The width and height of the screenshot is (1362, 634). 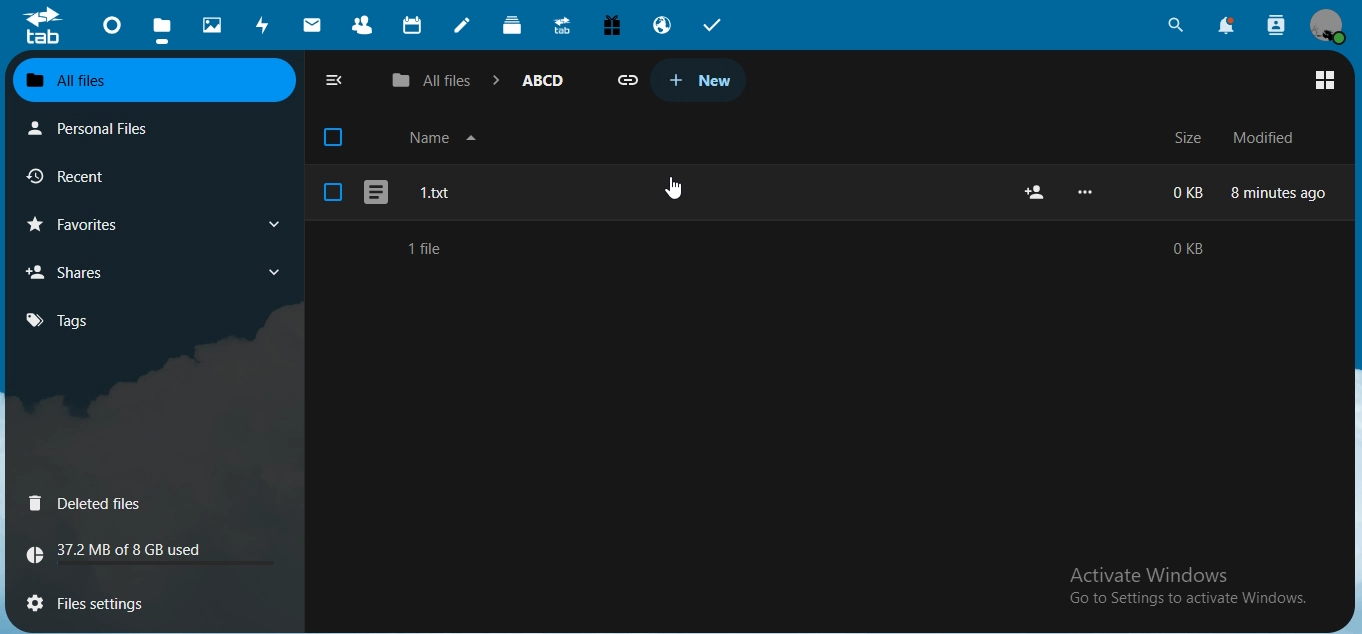 I want to click on dashboard, so click(x=112, y=29).